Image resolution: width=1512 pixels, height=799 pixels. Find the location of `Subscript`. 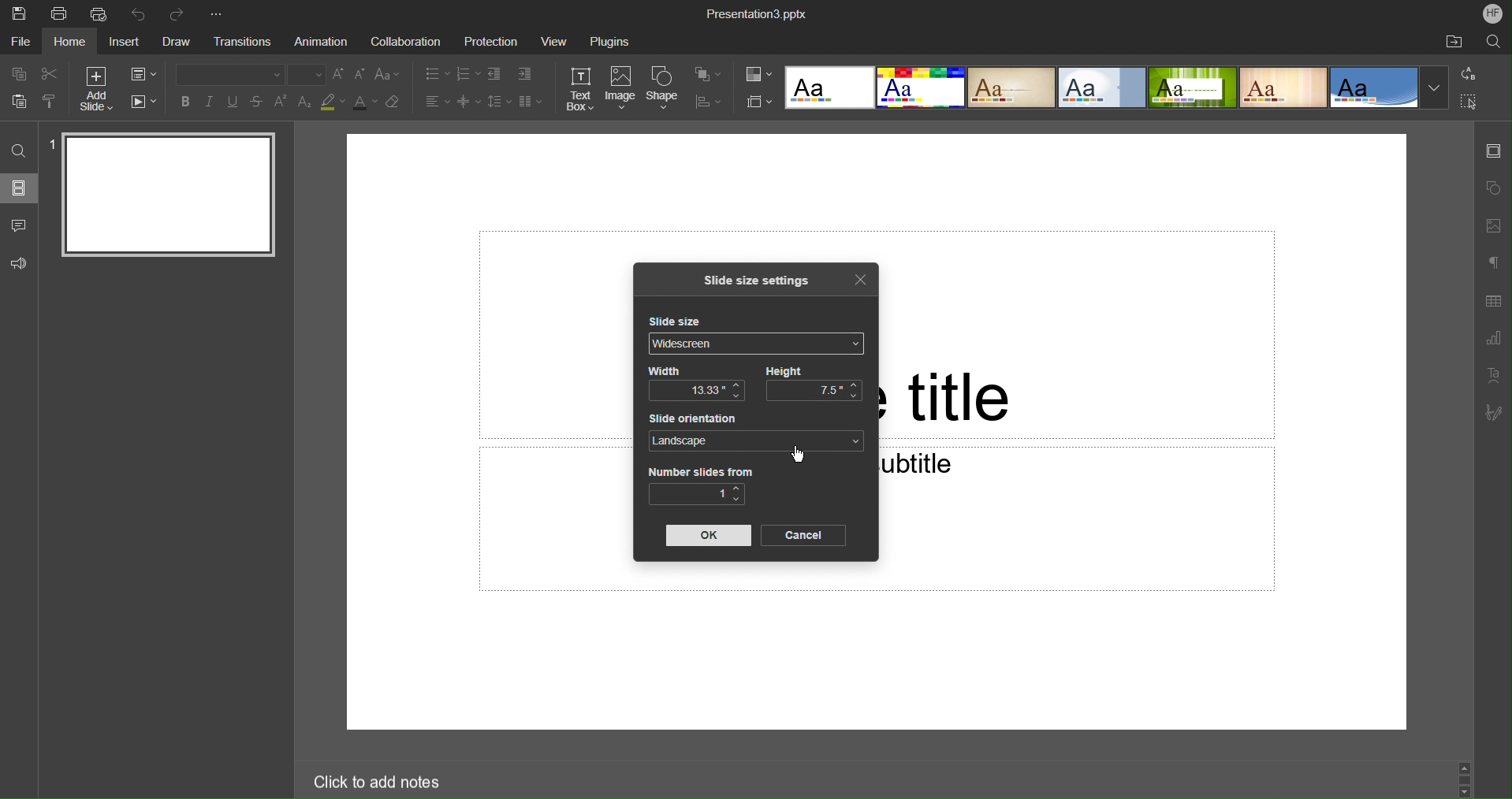

Subscript is located at coordinates (304, 102).